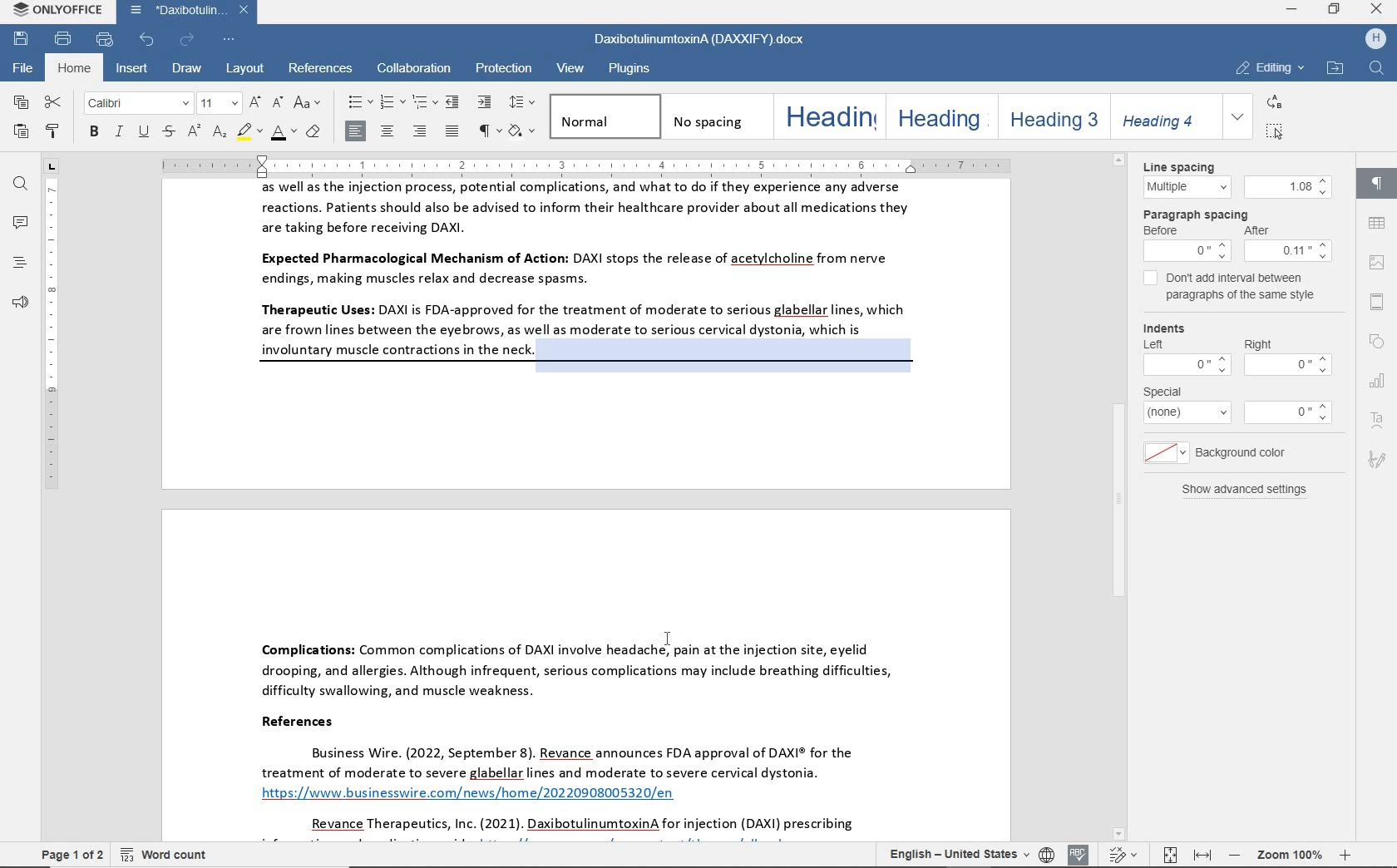 The width and height of the screenshot is (1397, 868). I want to click on decrease indent, so click(455, 101).